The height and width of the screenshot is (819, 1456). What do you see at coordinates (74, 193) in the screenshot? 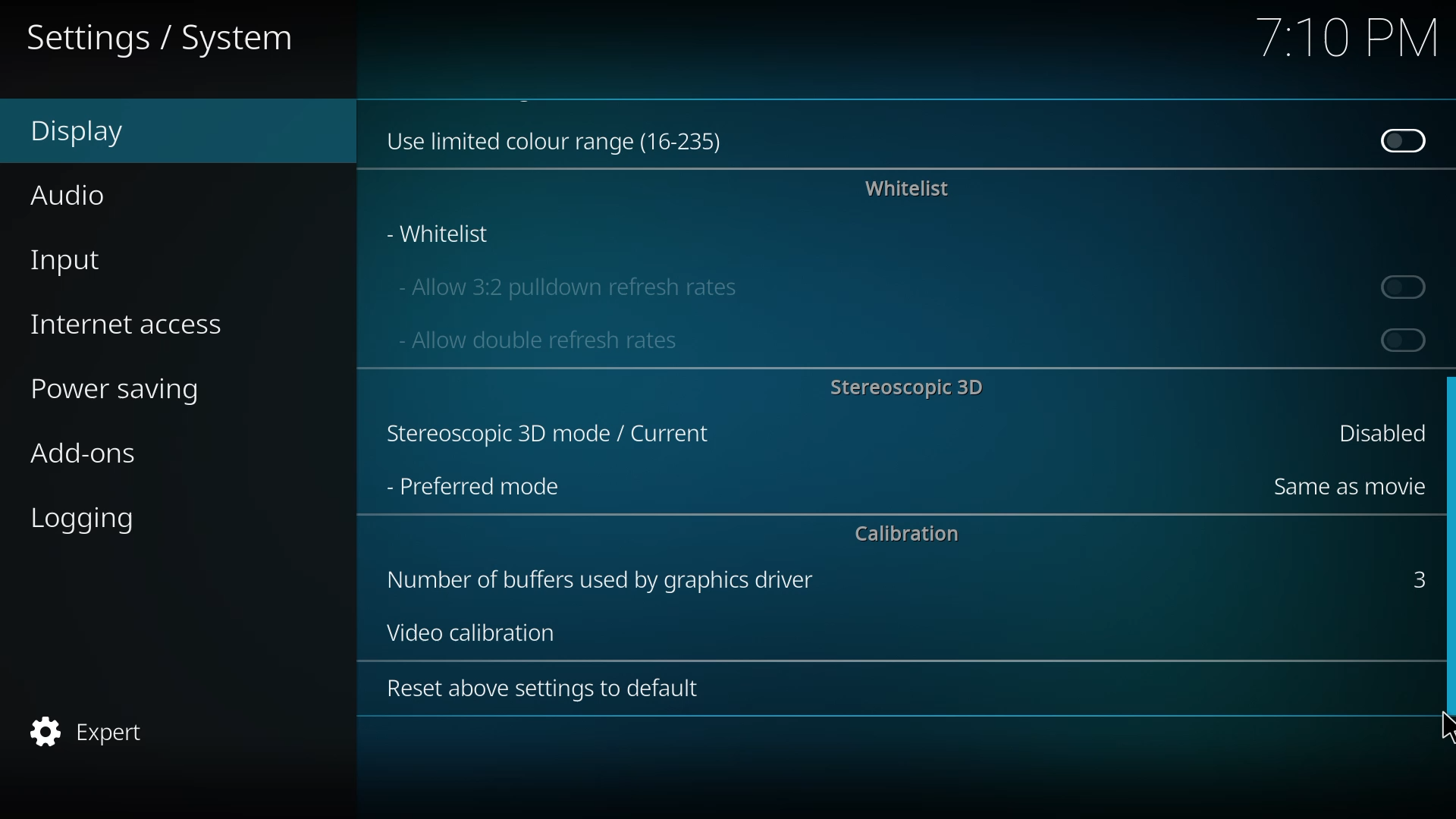
I see `audio` at bounding box center [74, 193].